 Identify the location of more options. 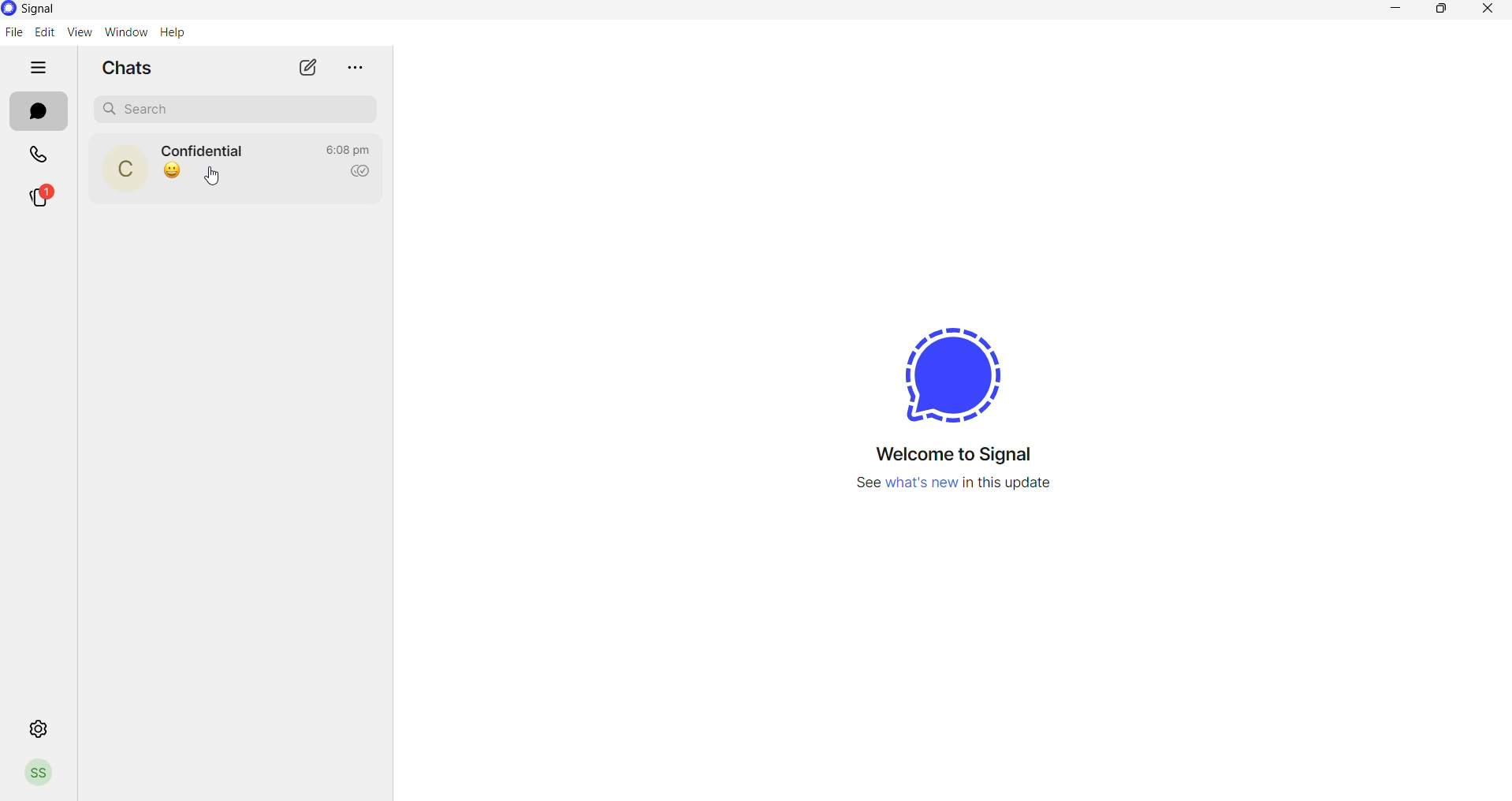
(359, 68).